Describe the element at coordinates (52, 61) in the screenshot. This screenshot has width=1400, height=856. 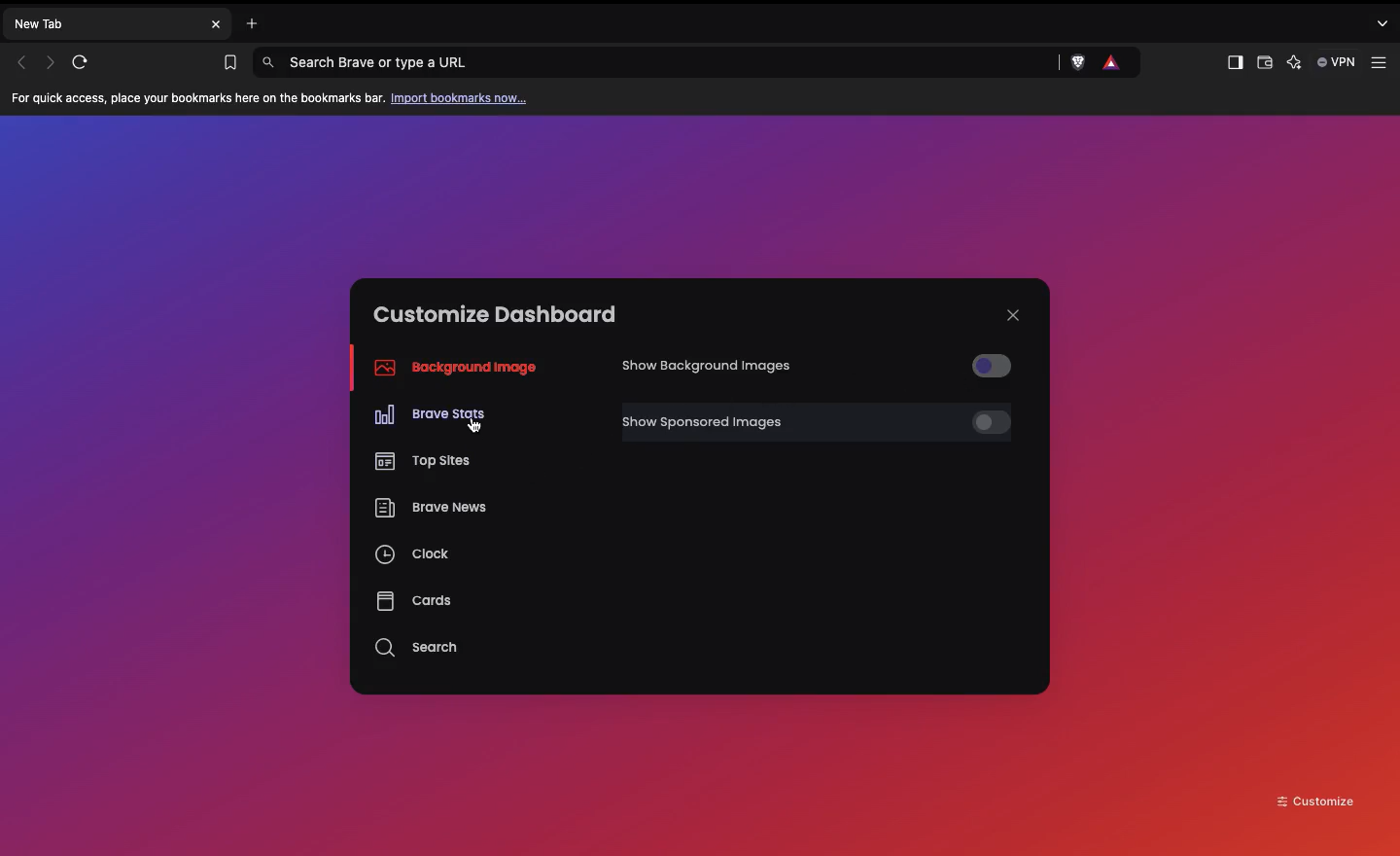
I see `Next page` at that location.